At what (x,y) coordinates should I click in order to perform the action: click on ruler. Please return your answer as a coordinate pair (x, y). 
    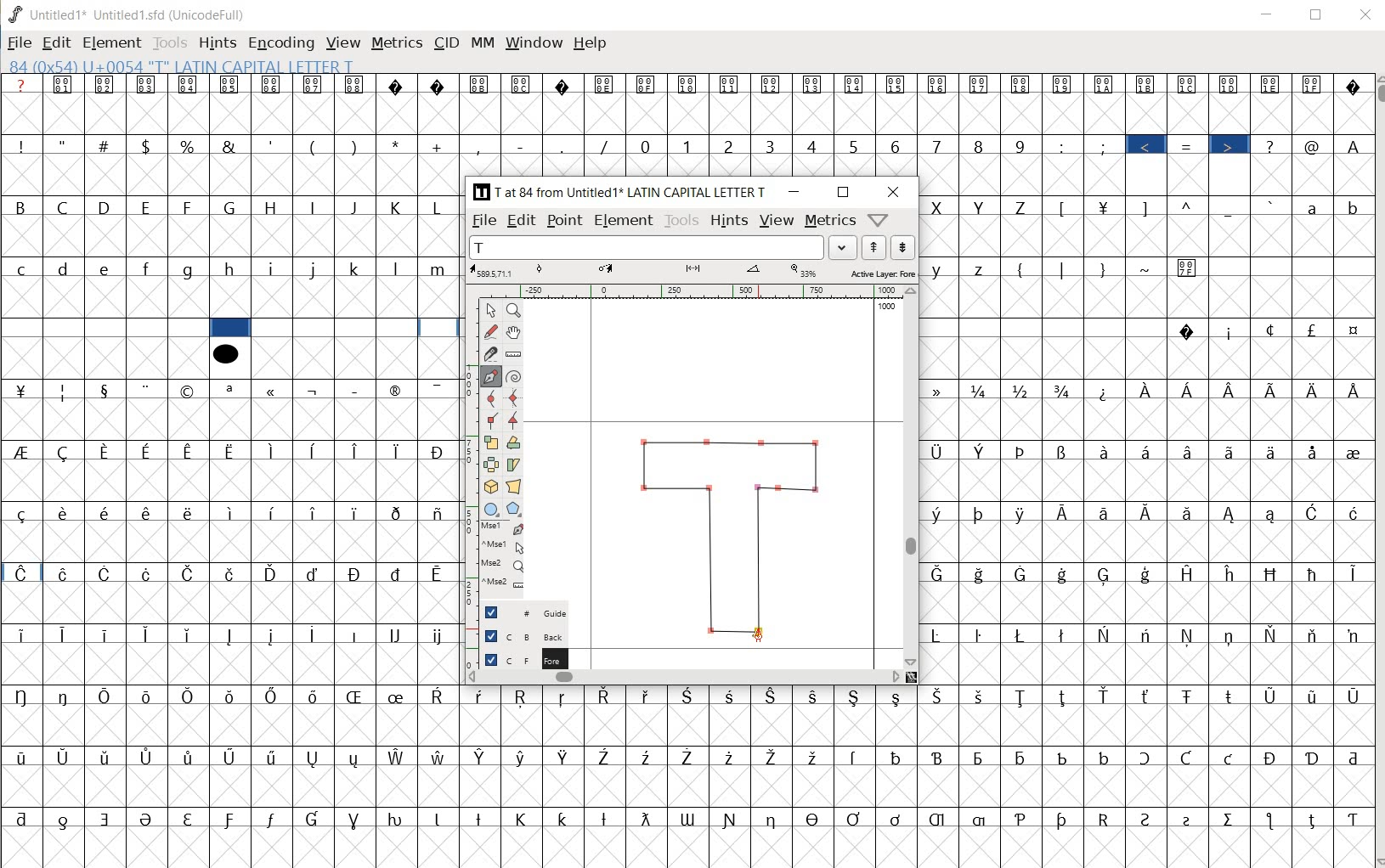
    Looking at the image, I should click on (514, 353).